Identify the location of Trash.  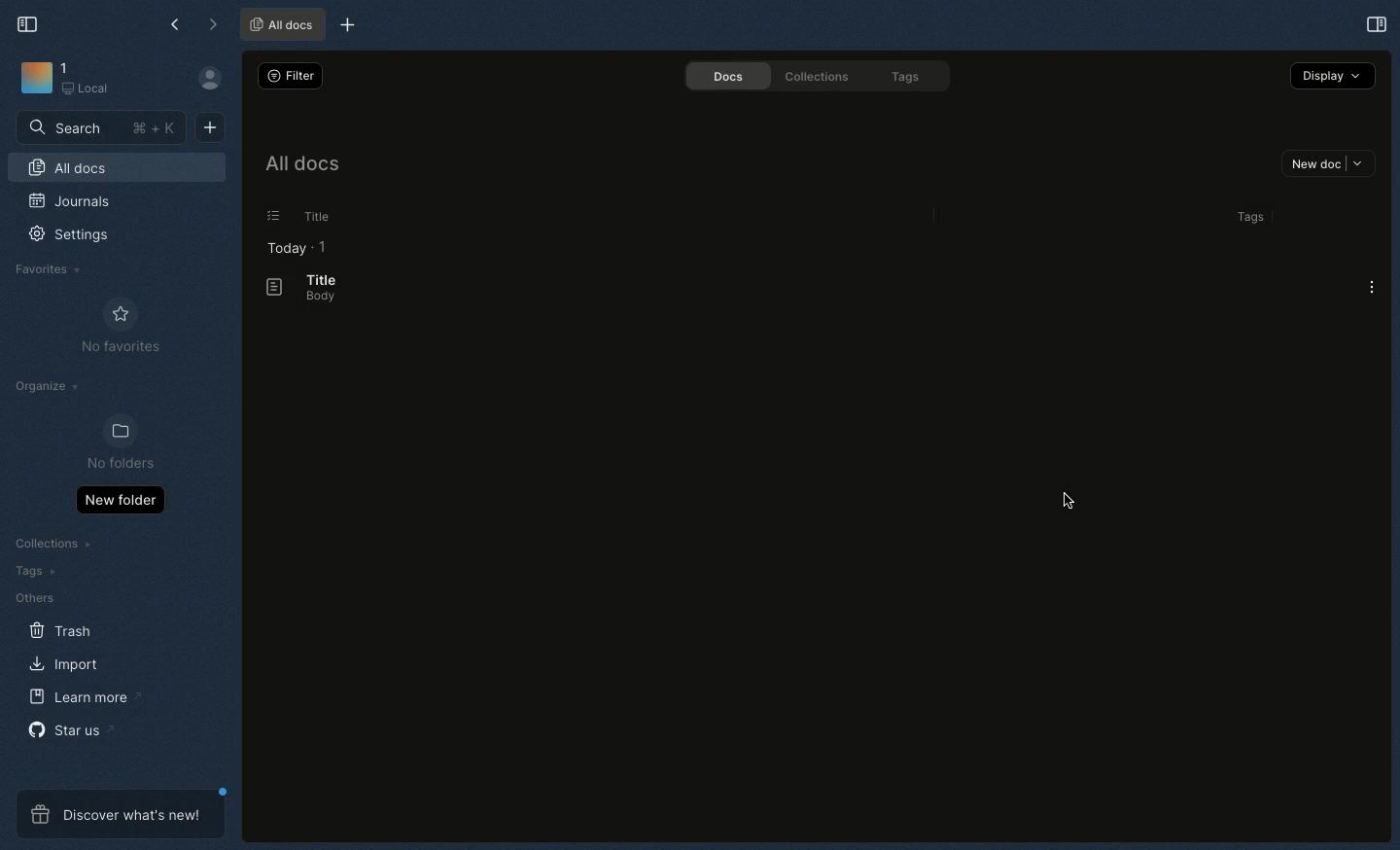
(61, 631).